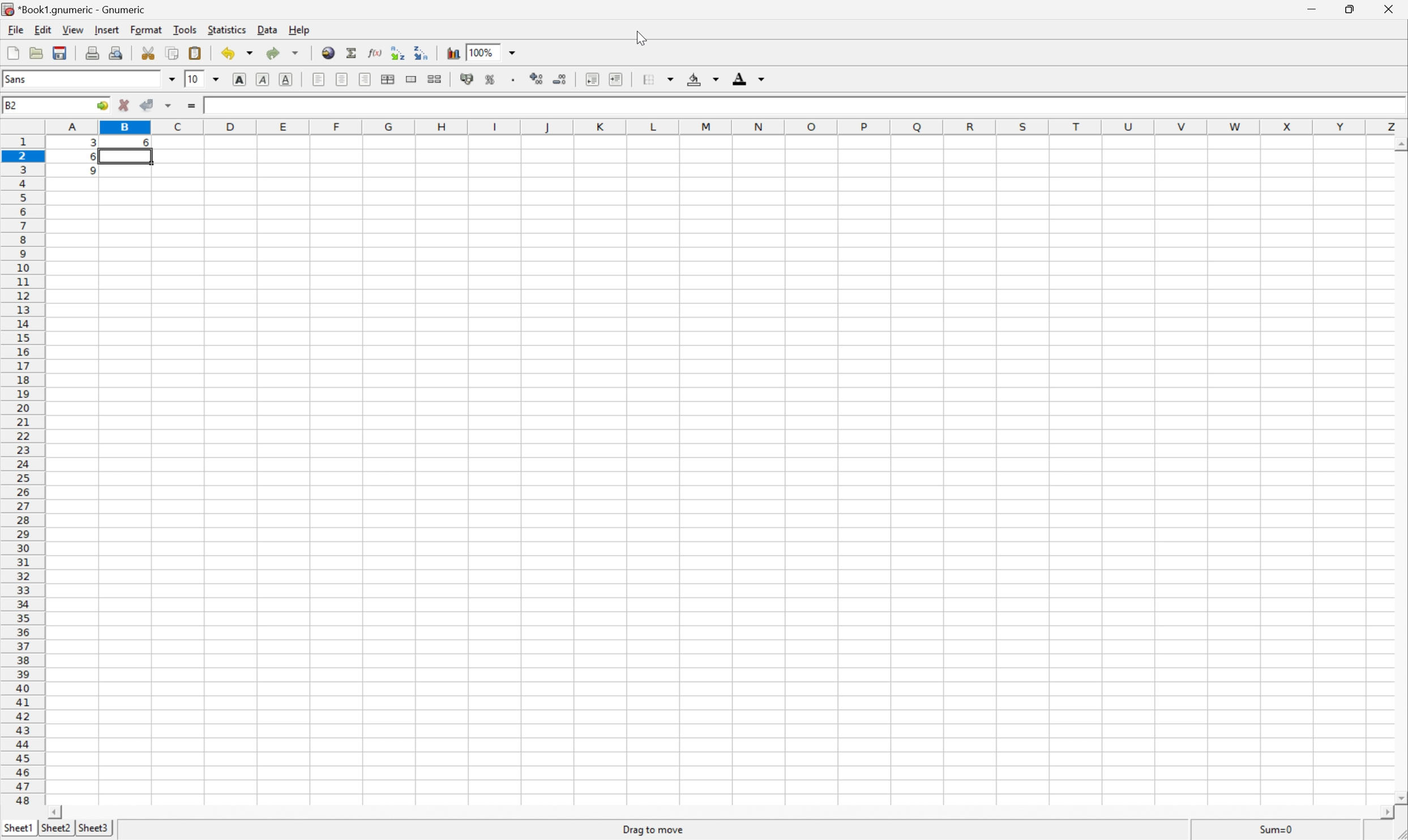  What do you see at coordinates (15, 78) in the screenshot?
I see `Sans` at bounding box center [15, 78].